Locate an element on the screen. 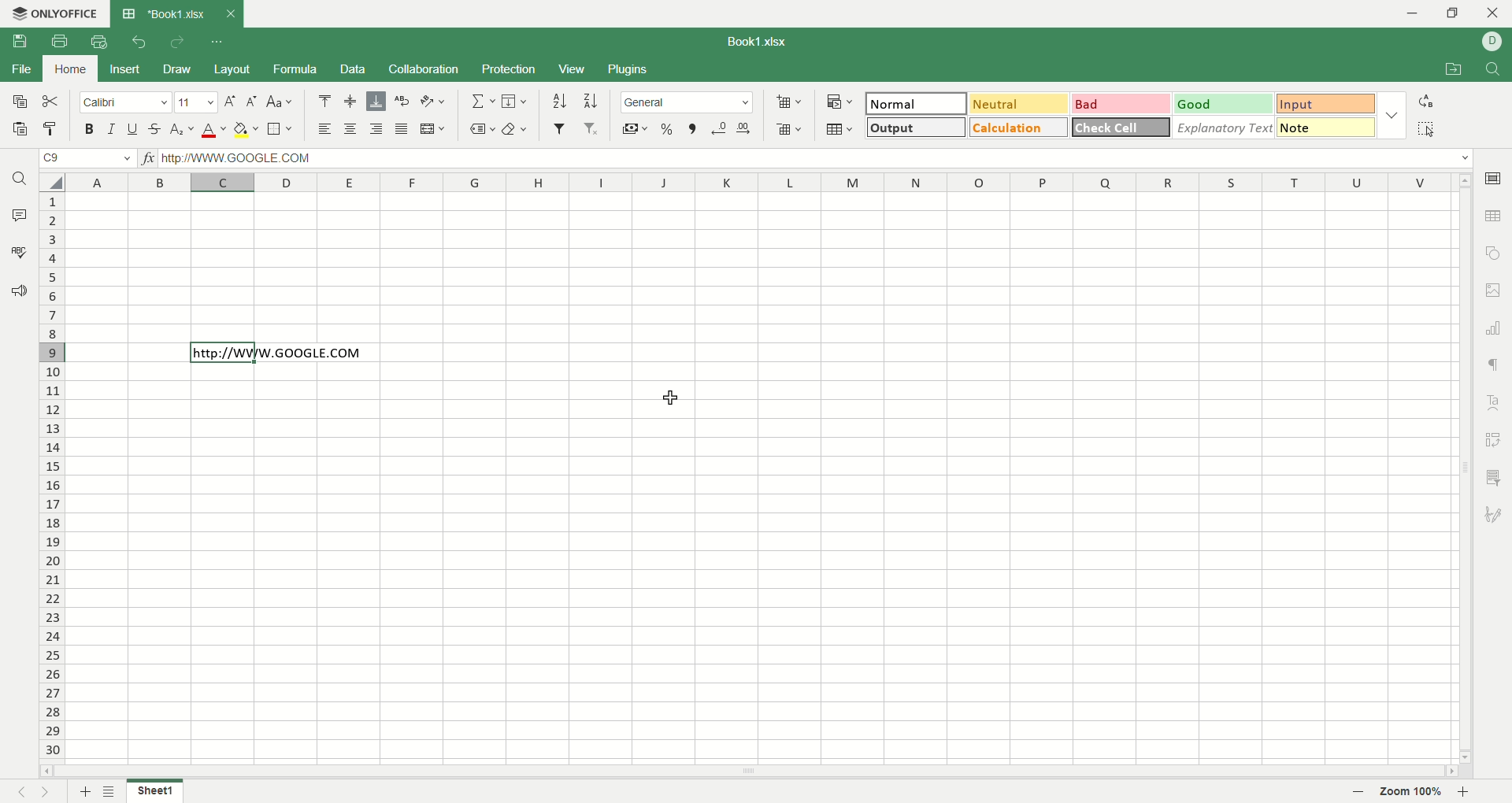 The height and width of the screenshot is (803, 1512). file is located at coordinates (22, 72).